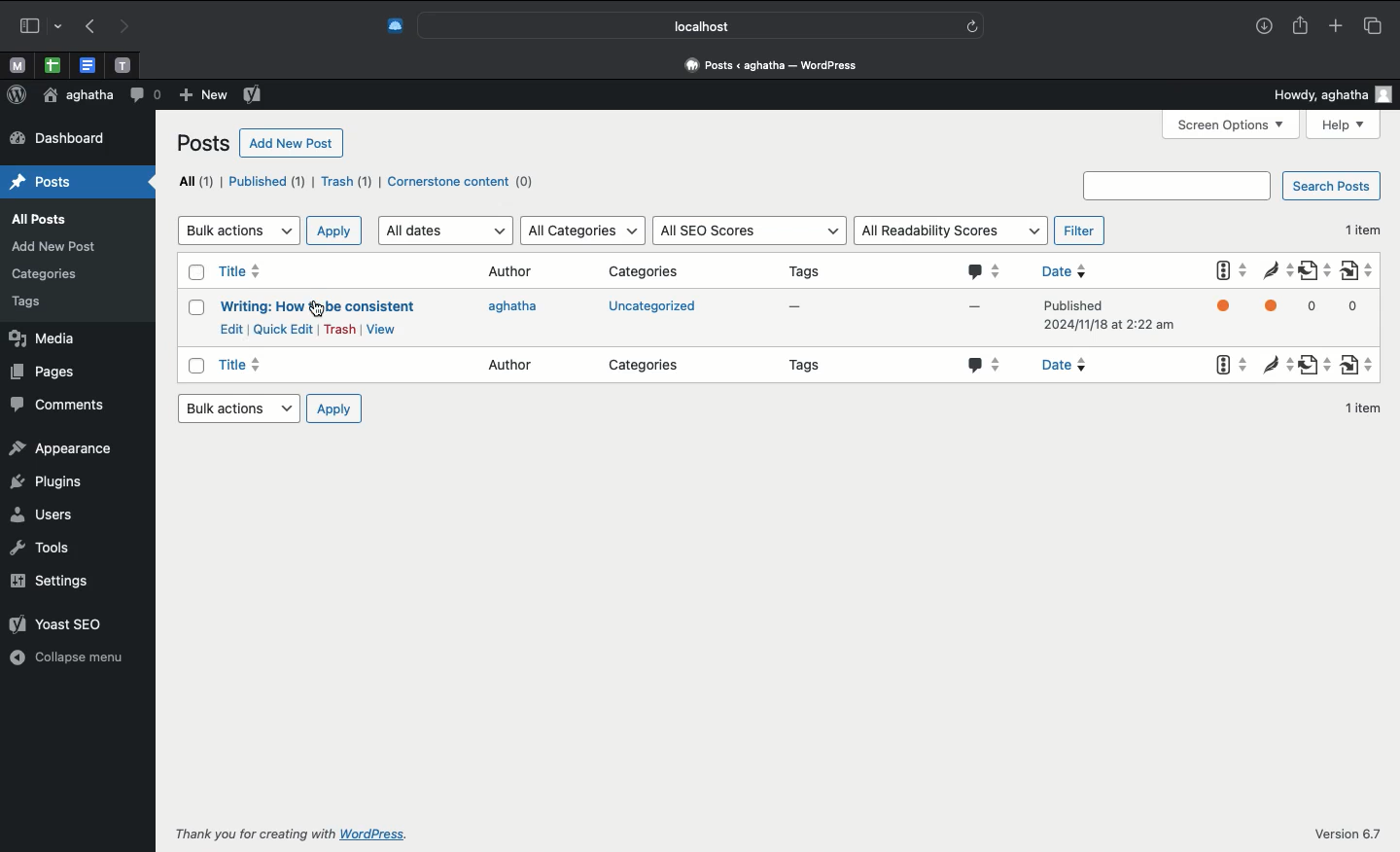 The height and width of the screenshot is (852, 1400). What do you see at coordinates (1372, 25) in the screenshot?
I see `Tabs` at bounding box center [1372, 25].